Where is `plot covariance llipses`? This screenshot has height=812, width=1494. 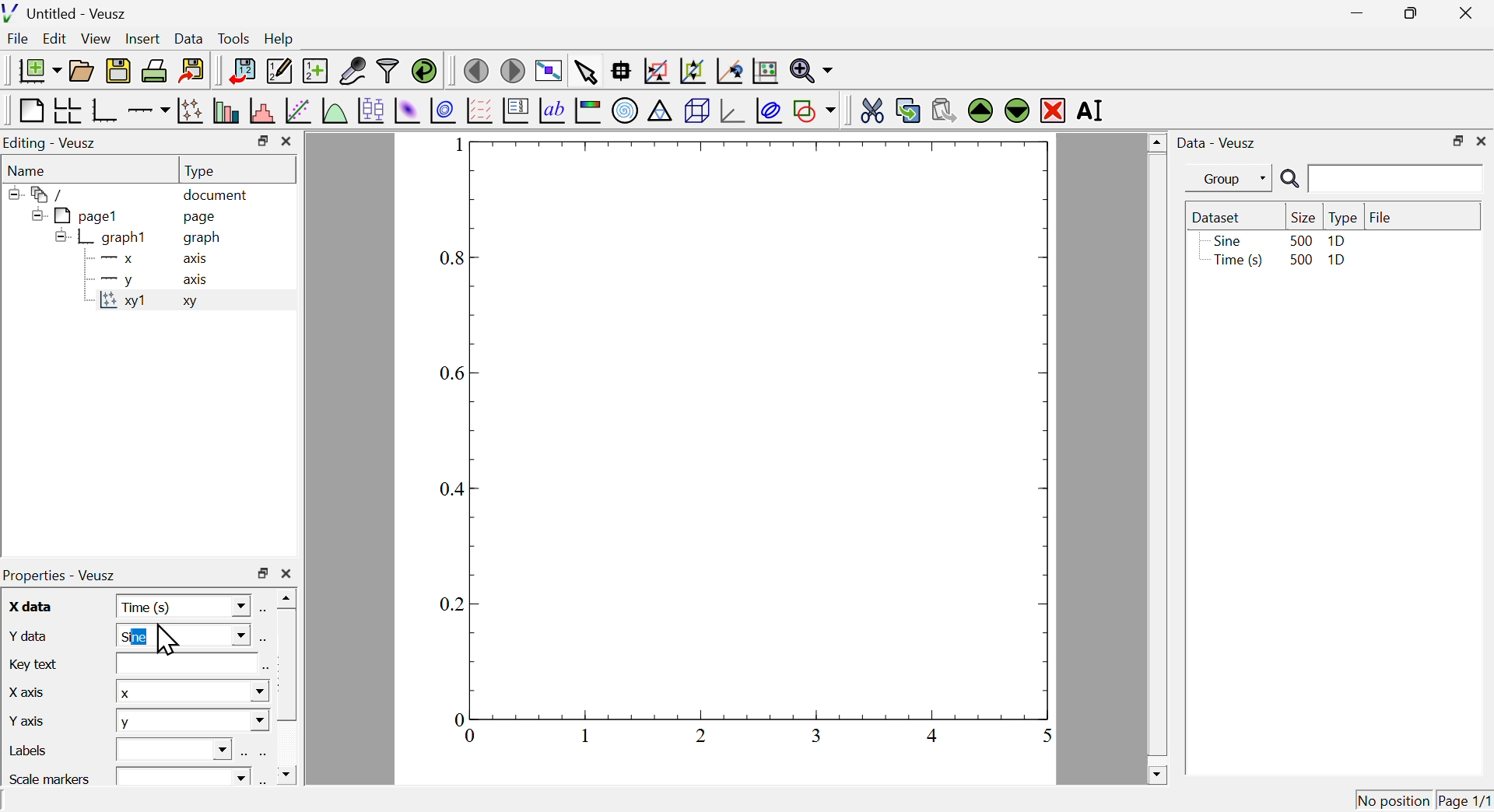
plot covariance llipses is located at coordinates (771, 110).